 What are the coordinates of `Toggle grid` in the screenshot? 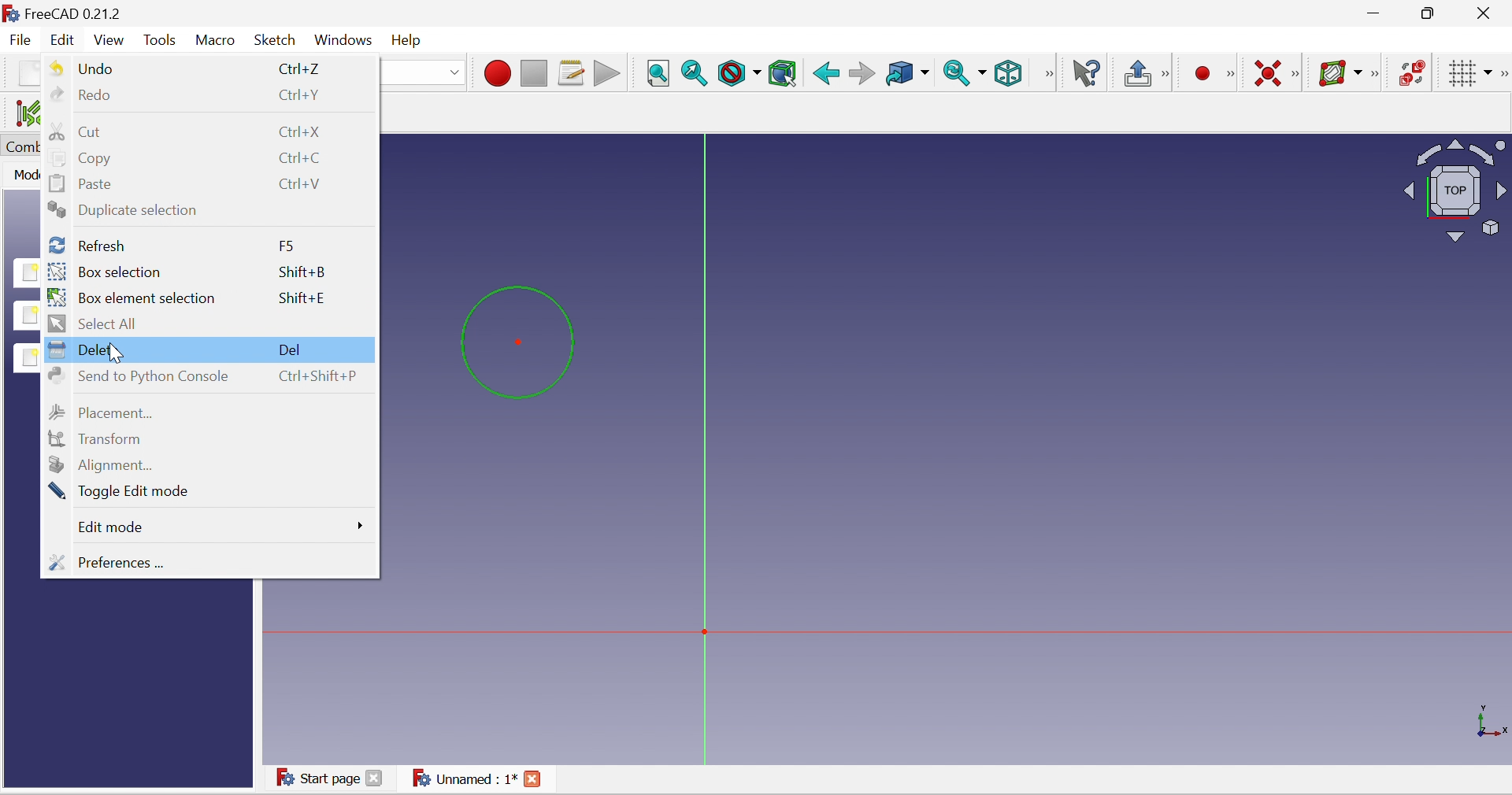 It's located at (1462, 73).